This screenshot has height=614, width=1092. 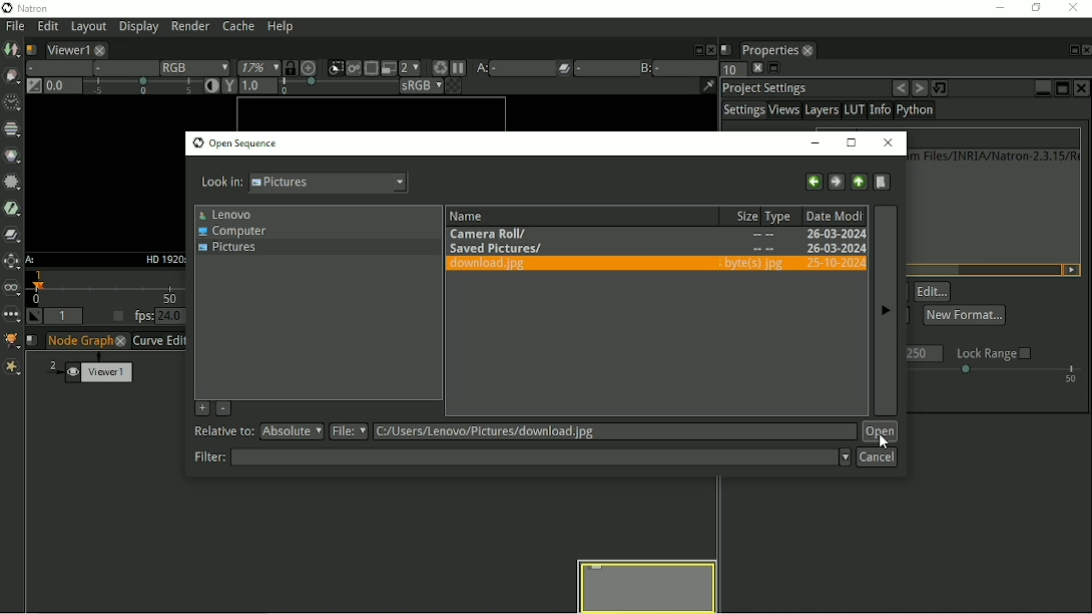 What do you see at coordinates (279, 28) in the screenshot?
I see `Help` at bounding box center [279, 28].